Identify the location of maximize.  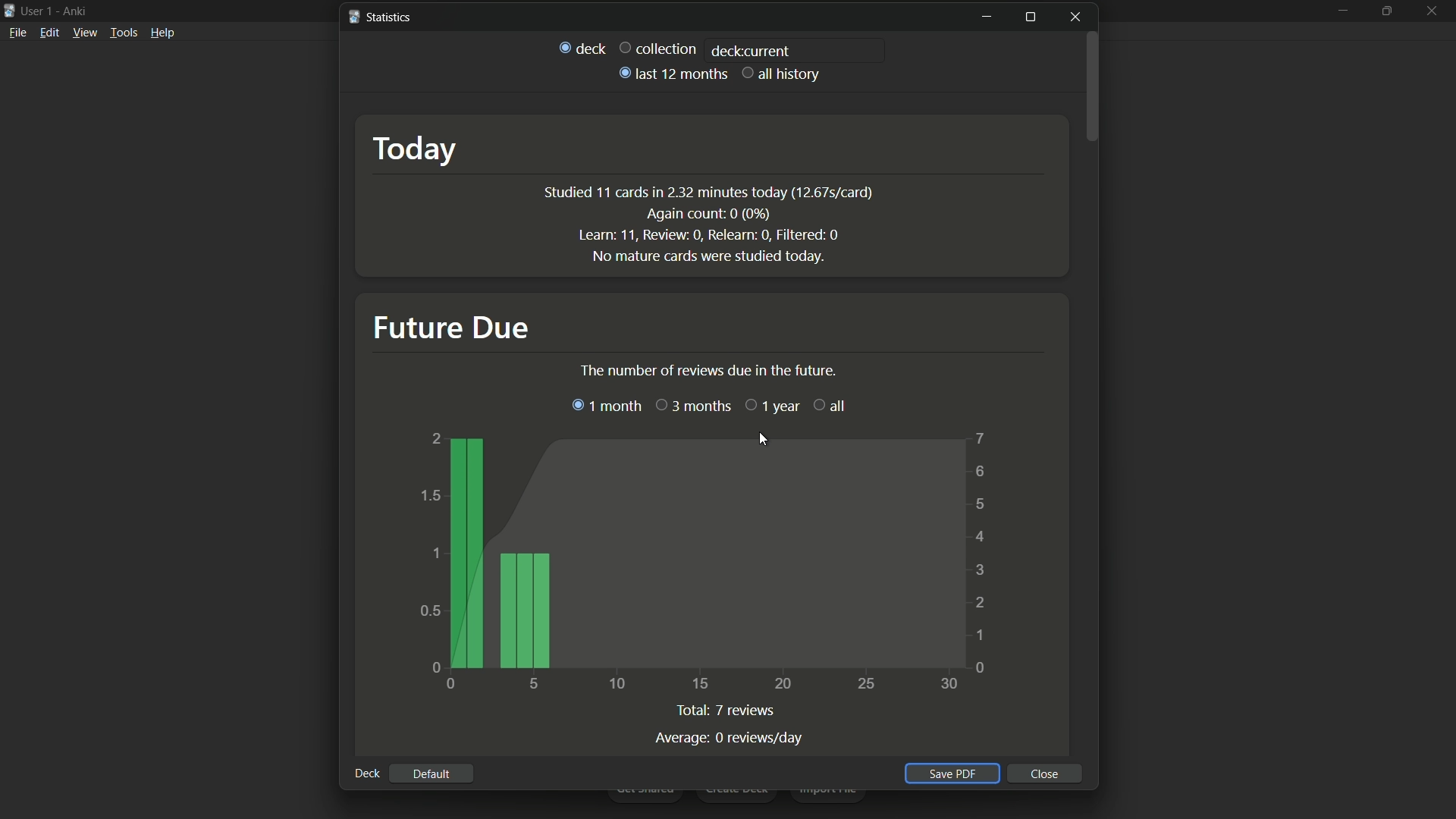
(1029, 17).